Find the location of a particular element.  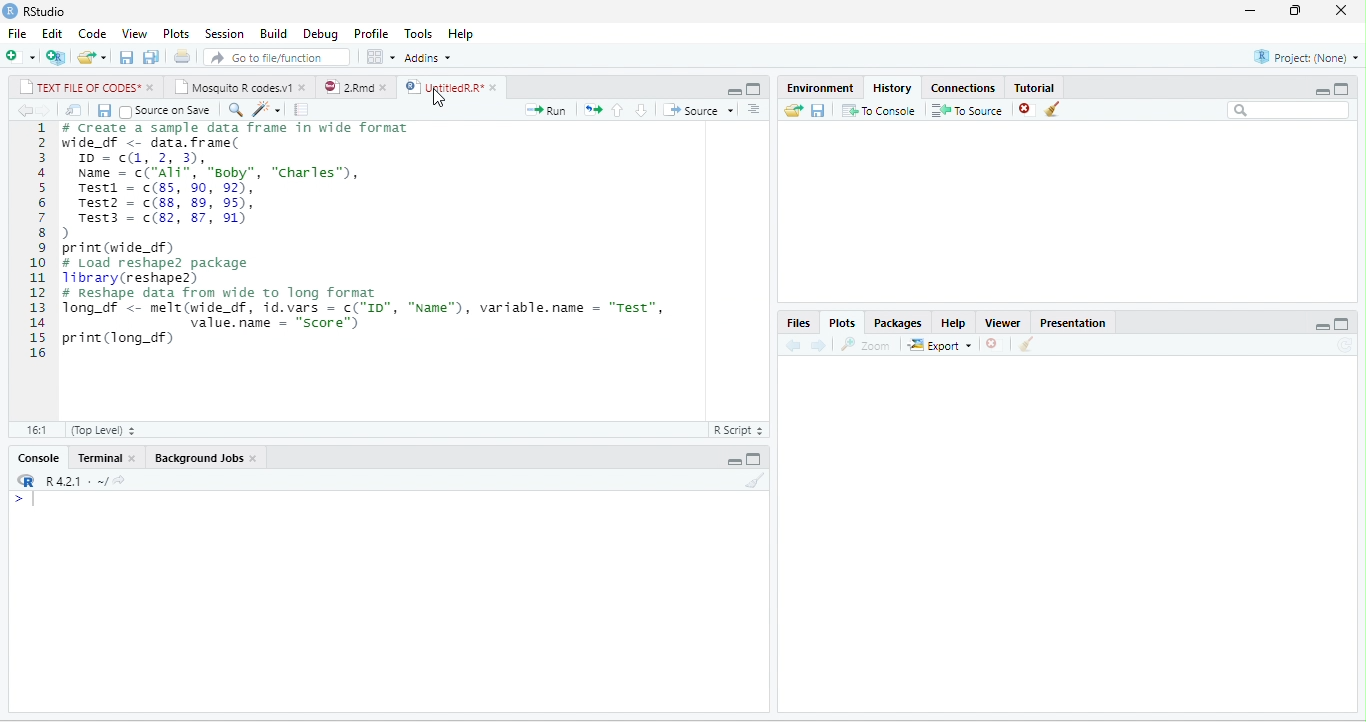

open in new window is located at coordinates (73, 110).